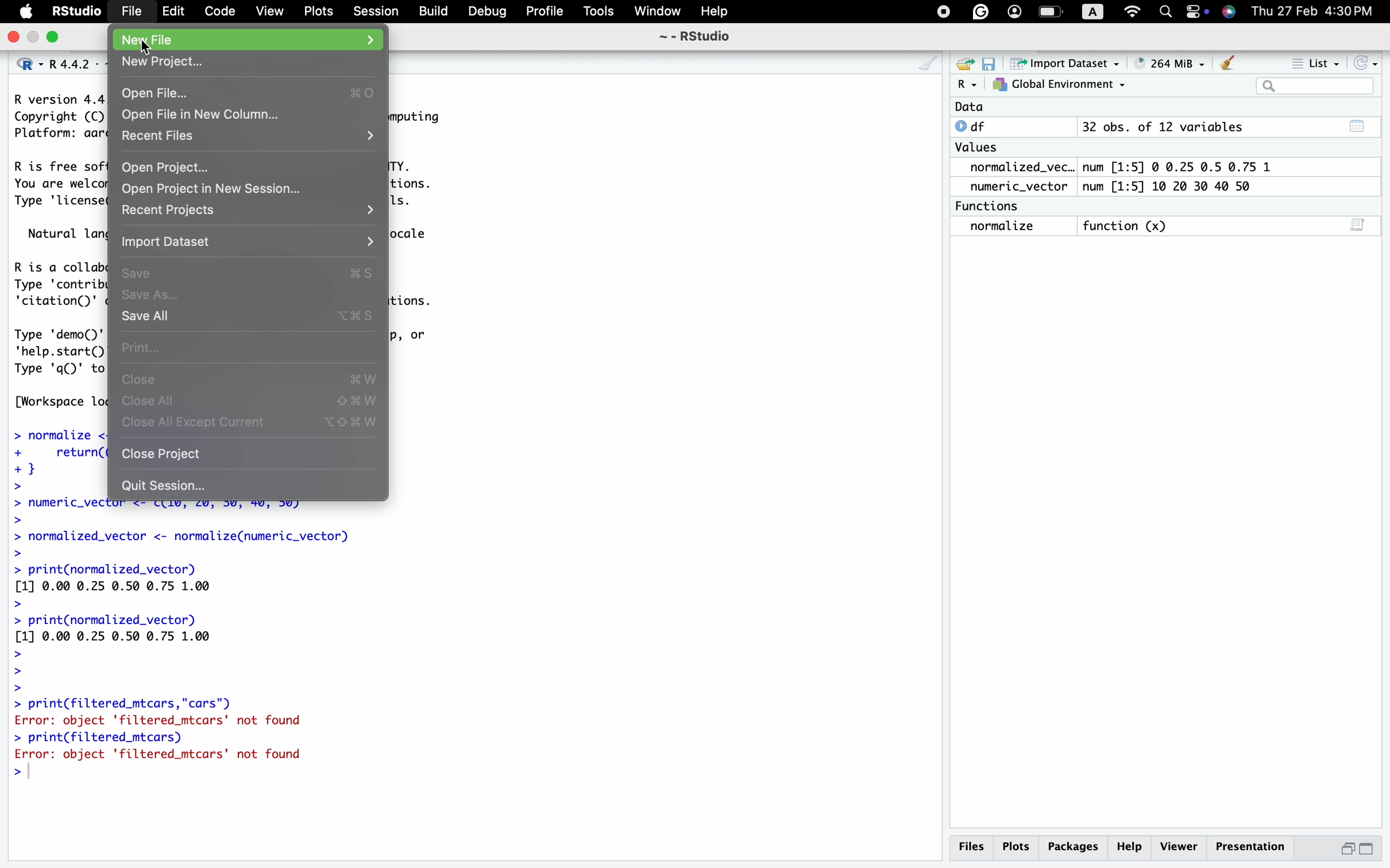 The height and width of the screenshot is (868, 1390). Describe the element at coordinates (174, 11) in the screenshot. I see `edit` at that location.